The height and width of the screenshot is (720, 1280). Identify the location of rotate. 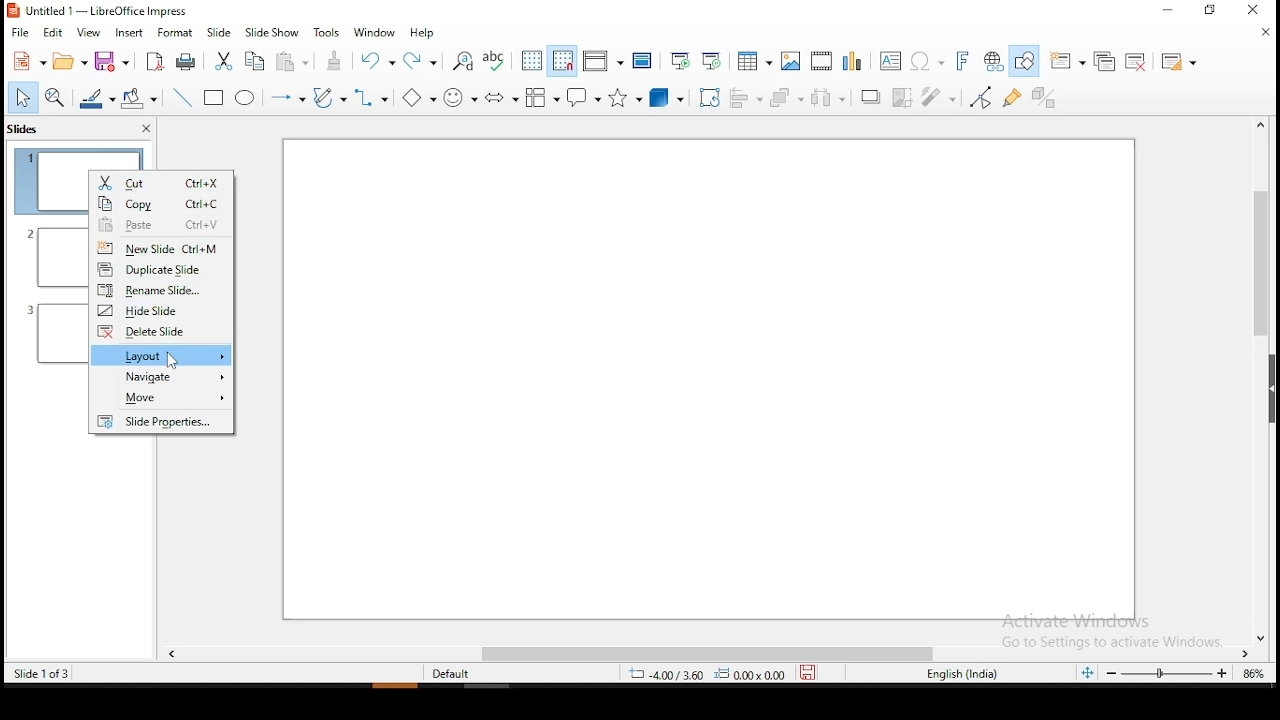
(709, 98).